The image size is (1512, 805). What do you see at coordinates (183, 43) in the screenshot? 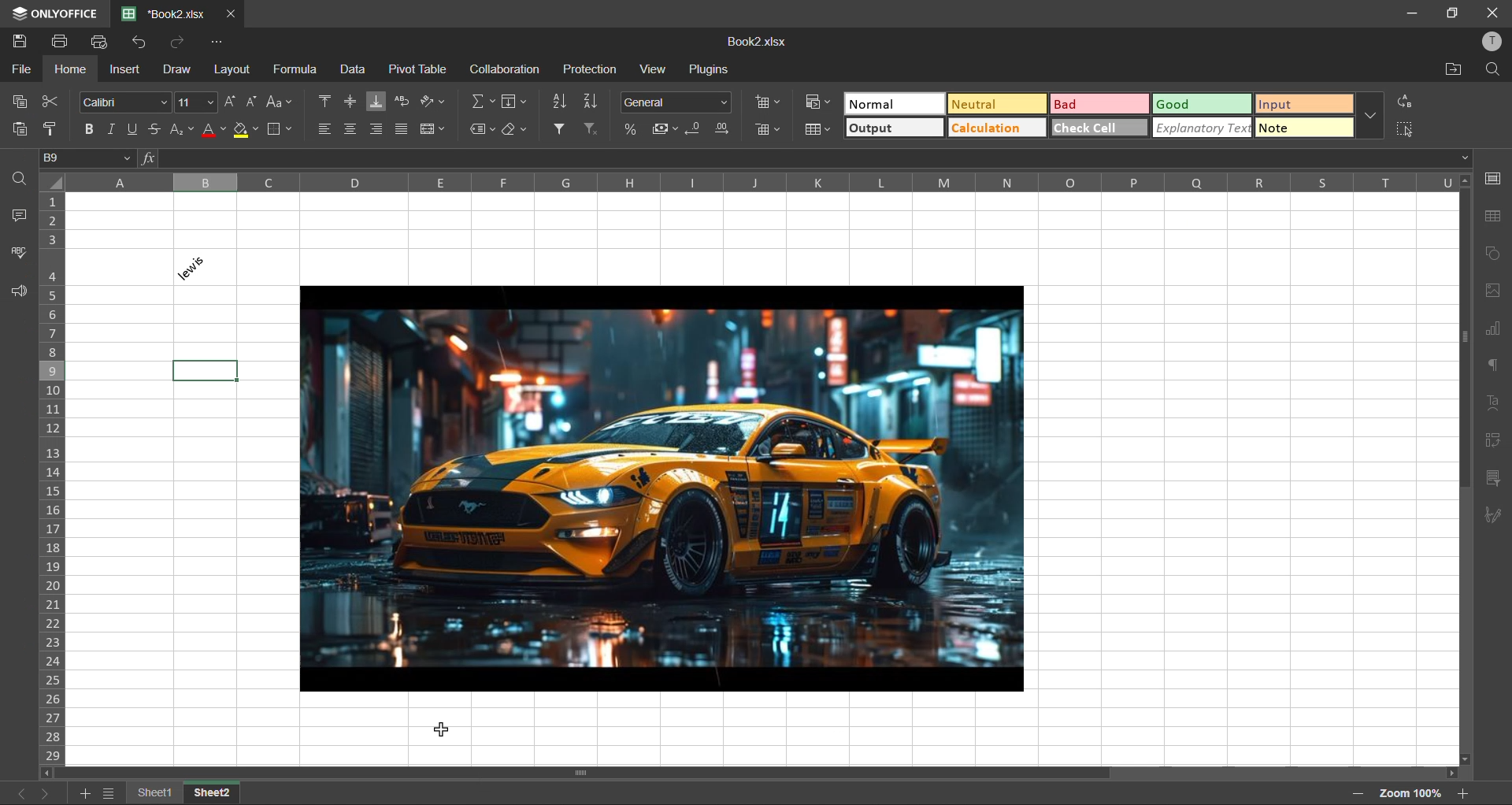
I see `redo` at bounding box center [183, 43].